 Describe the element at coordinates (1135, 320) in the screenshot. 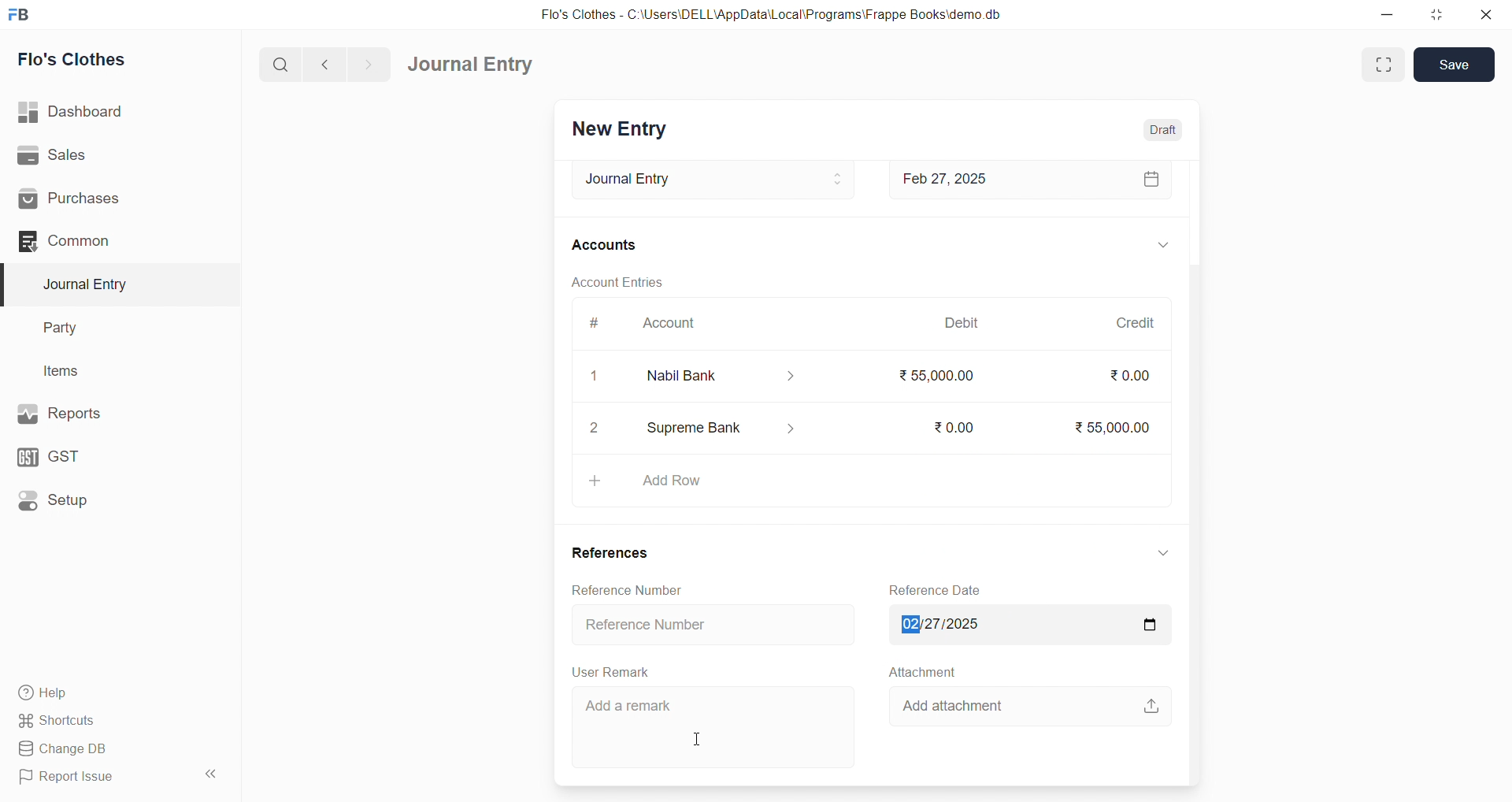

I see `Credit` at that location.